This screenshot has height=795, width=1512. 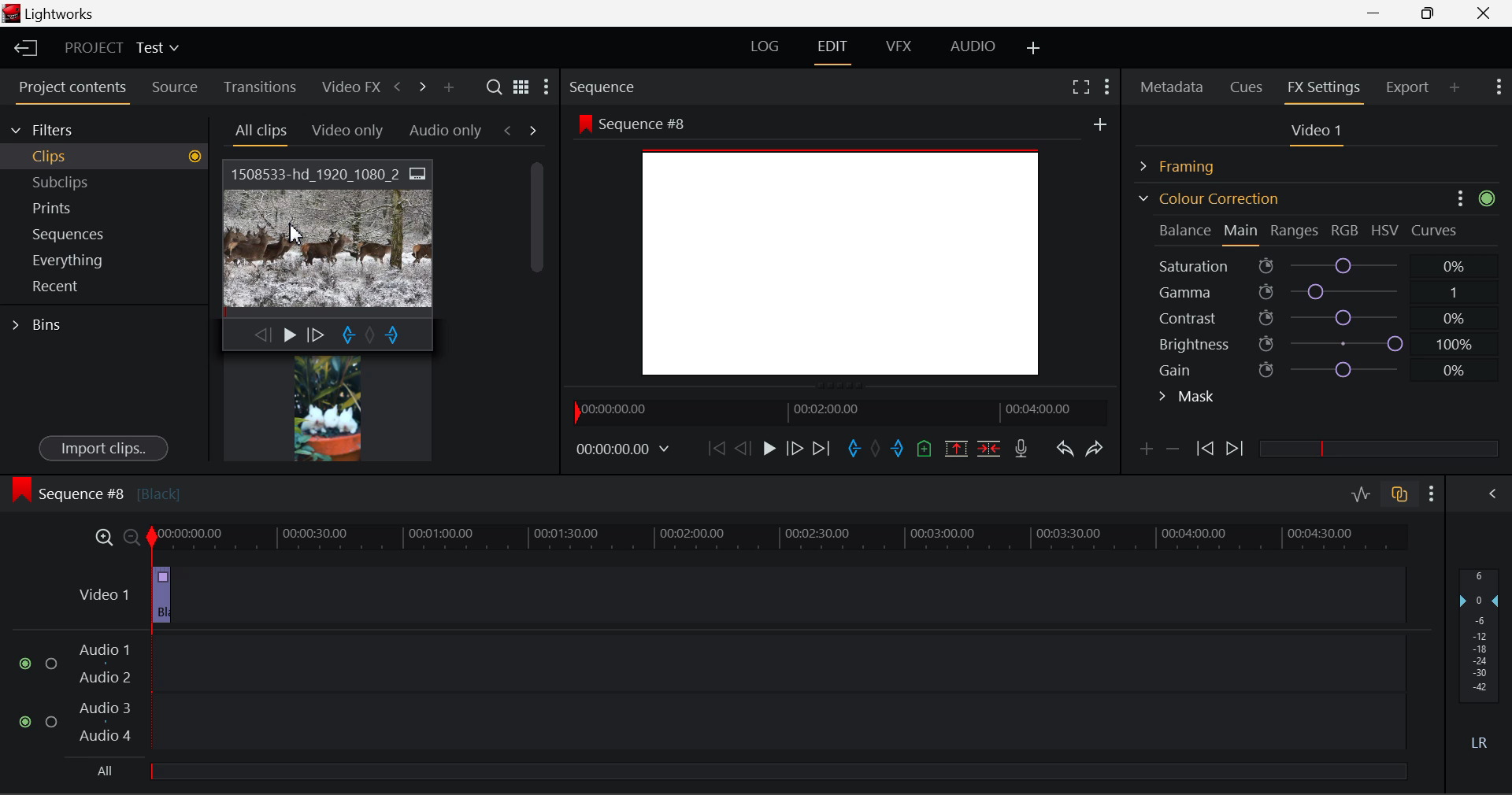 What do you see at coordinates (780, 538) in the screenshot?
I see `Project Timeline` at bounding box center [780, 538].